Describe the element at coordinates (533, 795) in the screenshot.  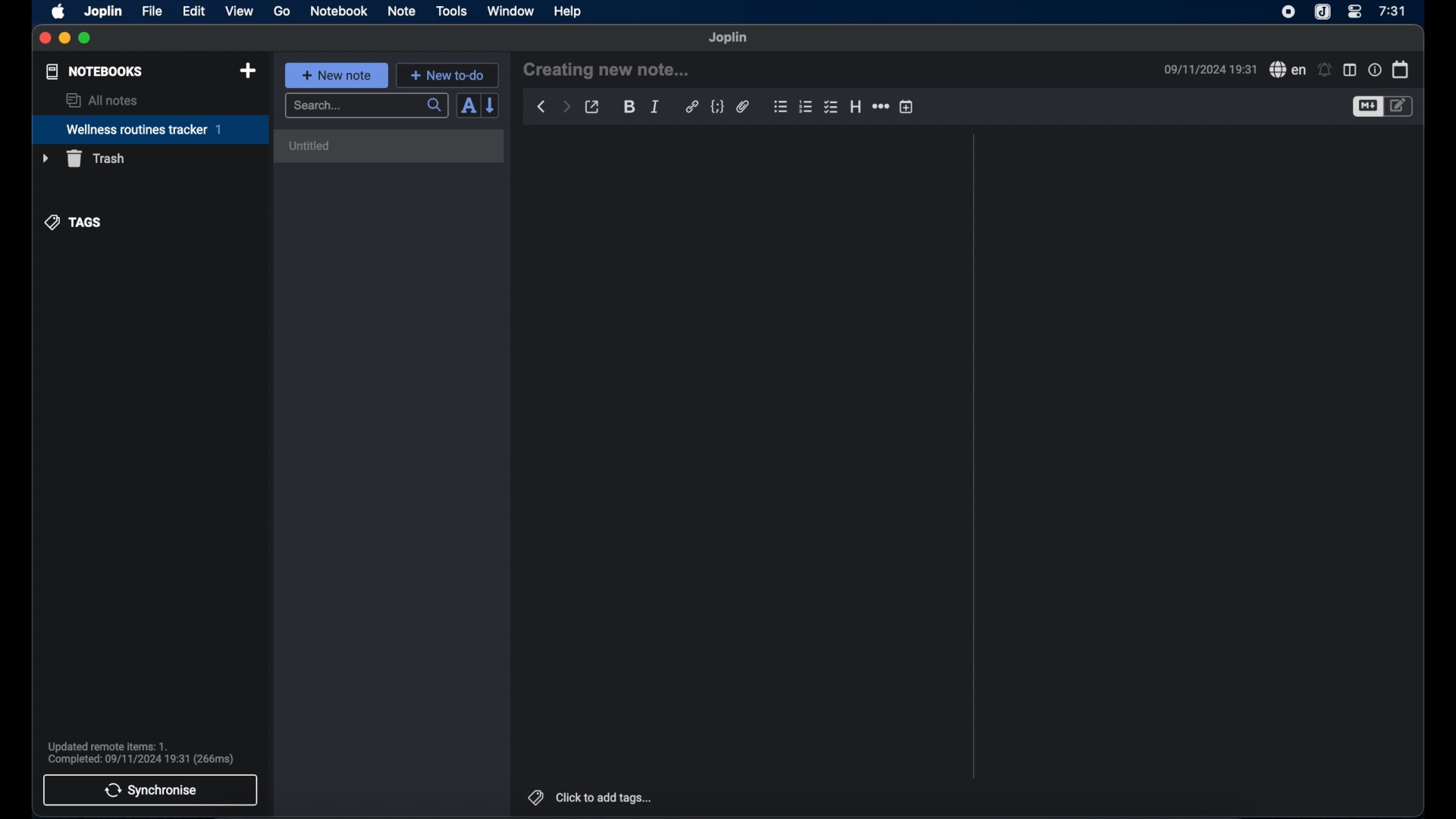
I see `tags` at that location.